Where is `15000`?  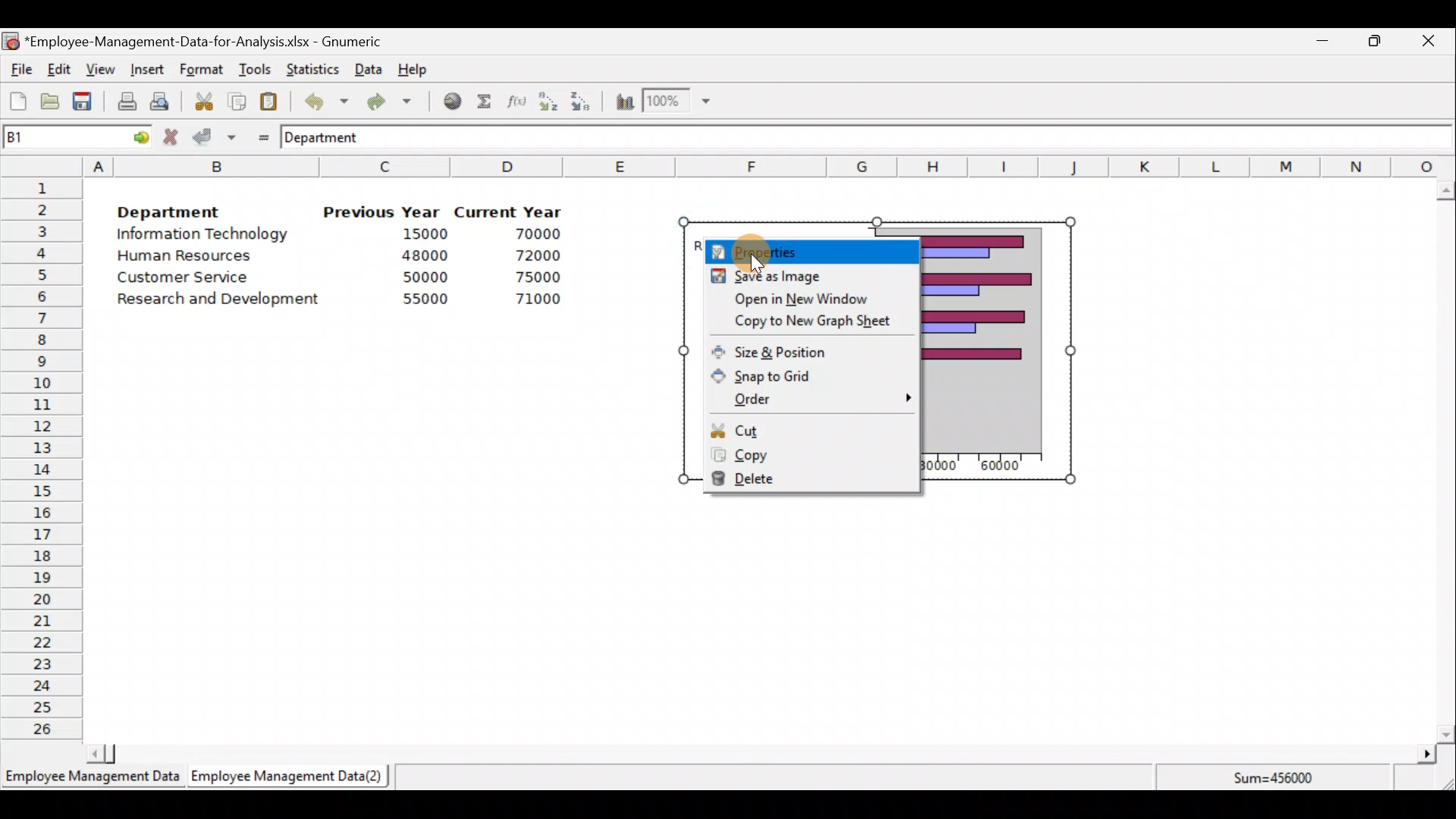
15000 is located at coordinates (419, 233).